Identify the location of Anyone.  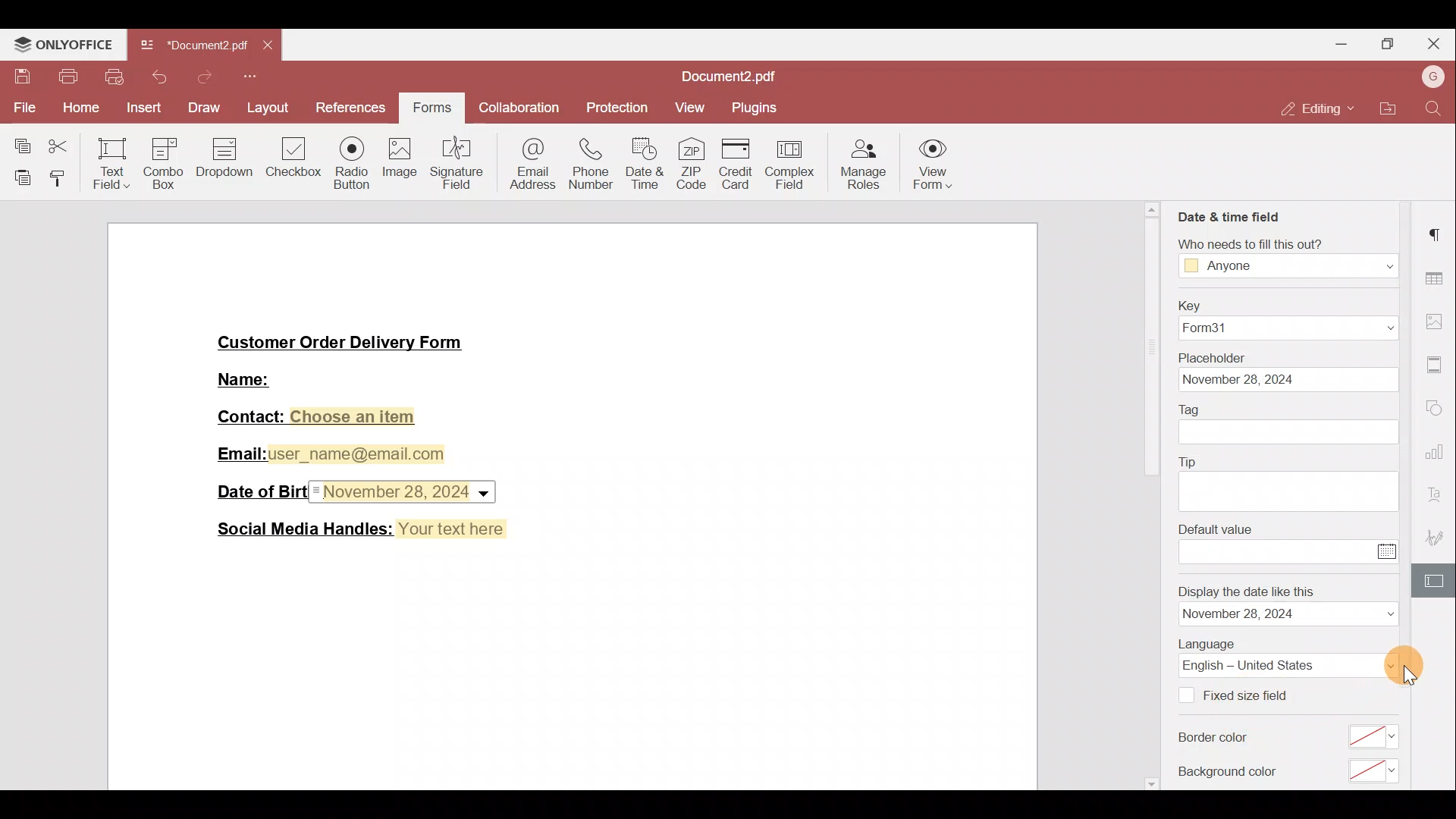
(1290, 265).